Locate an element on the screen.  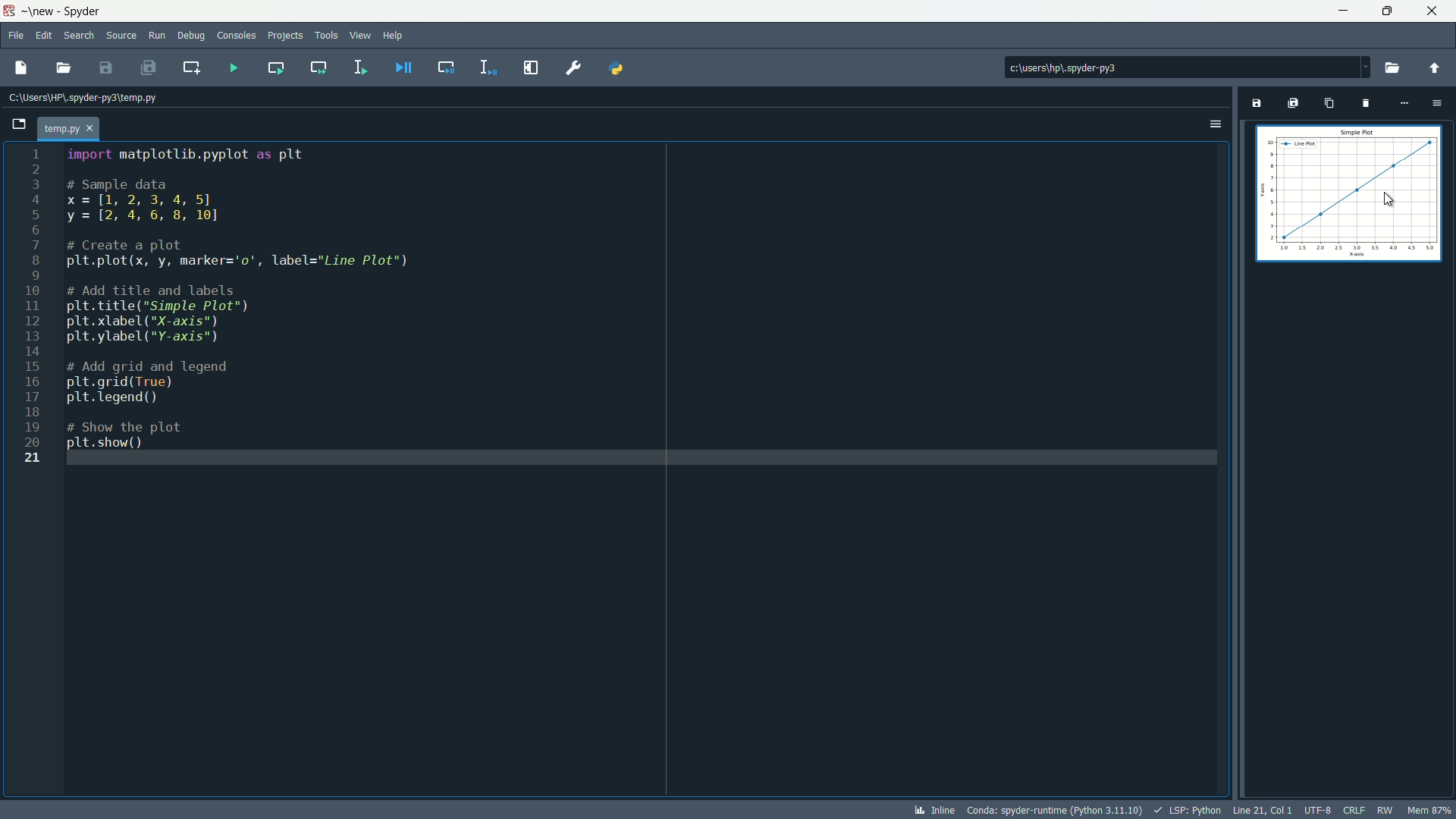
debug file is located at coordinates (403, 67).